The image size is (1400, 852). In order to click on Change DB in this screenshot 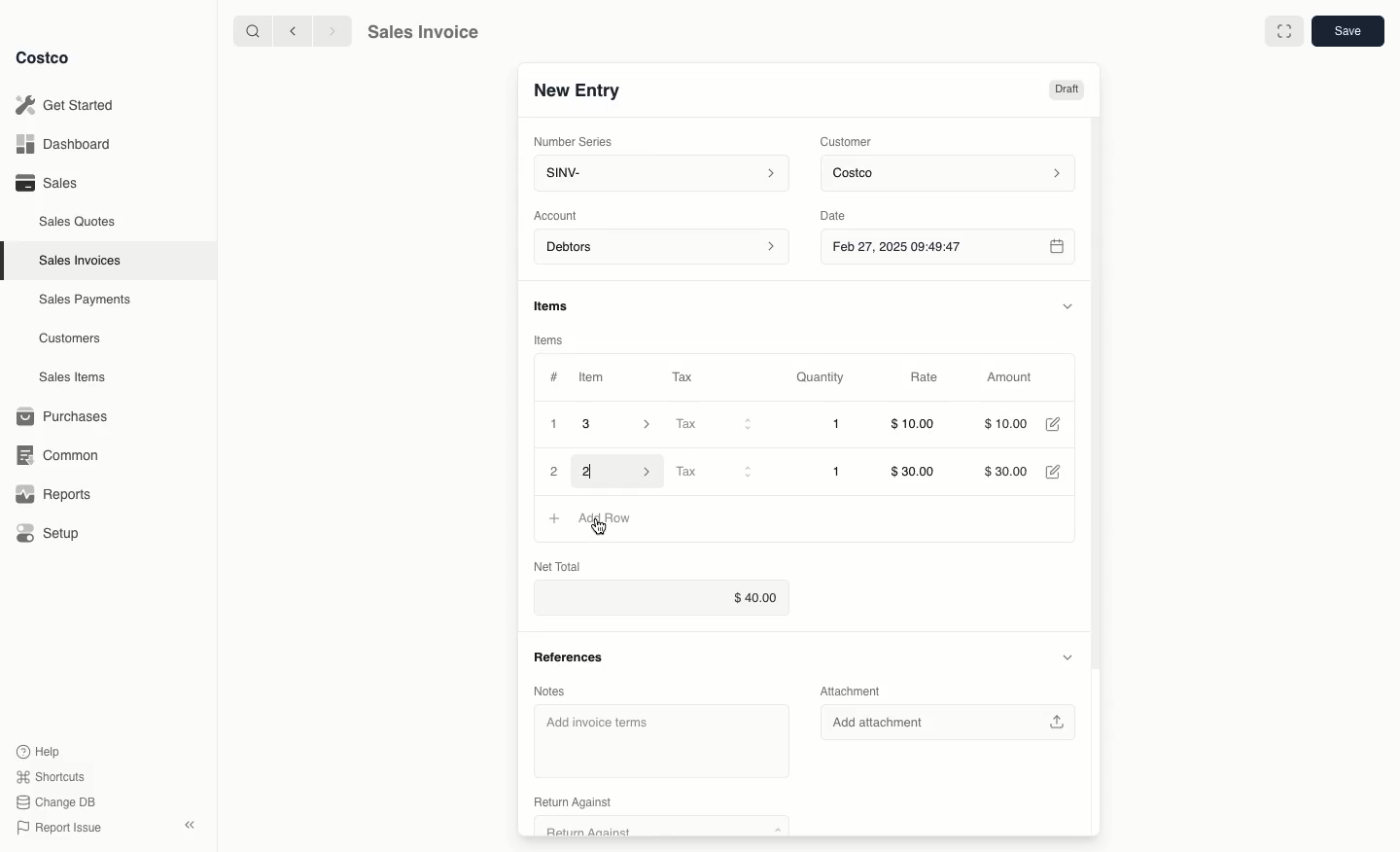, I will do `click(58, 799)`.